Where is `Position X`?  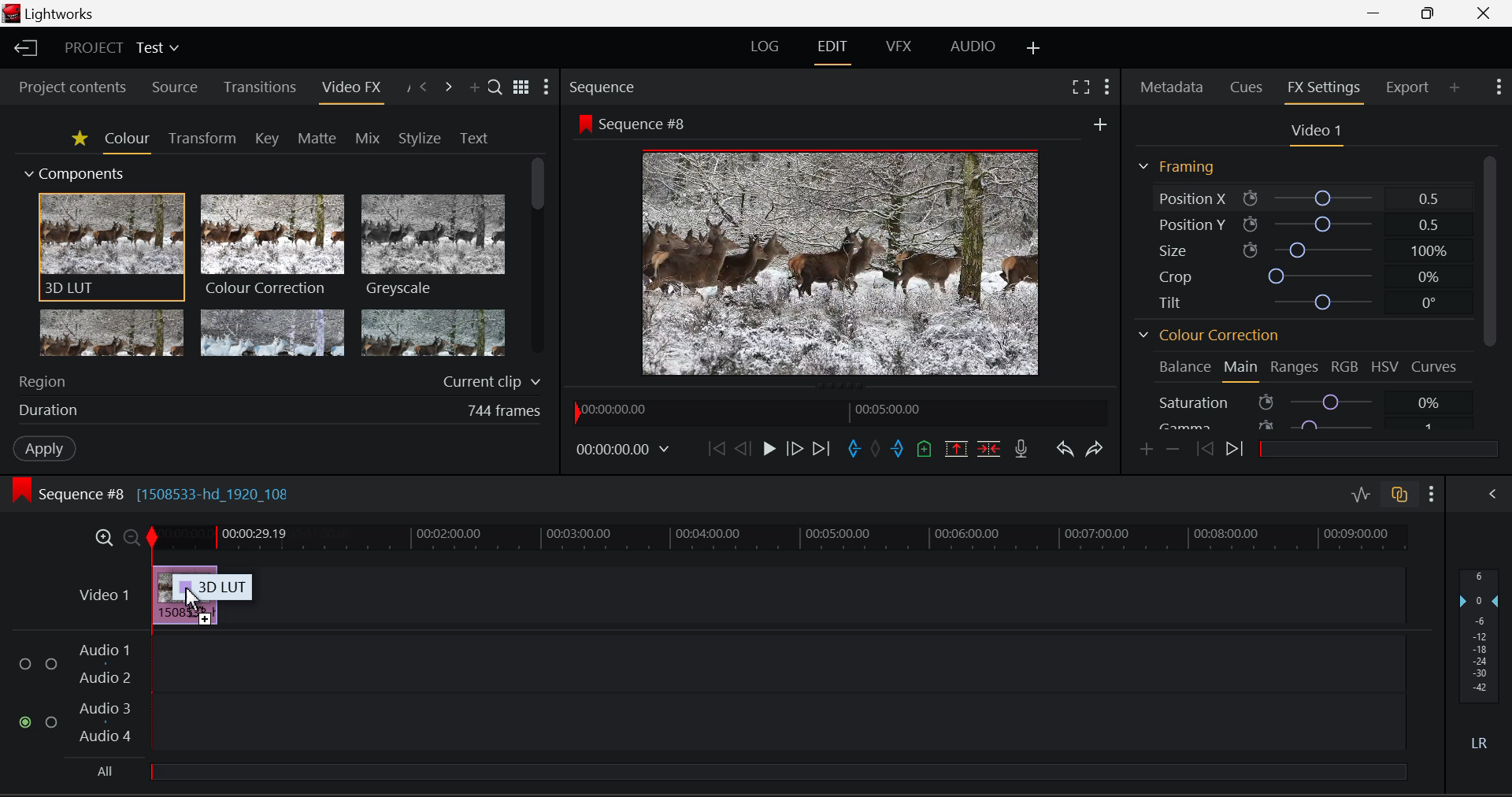
Position X is located at coordinates (1309, 198).